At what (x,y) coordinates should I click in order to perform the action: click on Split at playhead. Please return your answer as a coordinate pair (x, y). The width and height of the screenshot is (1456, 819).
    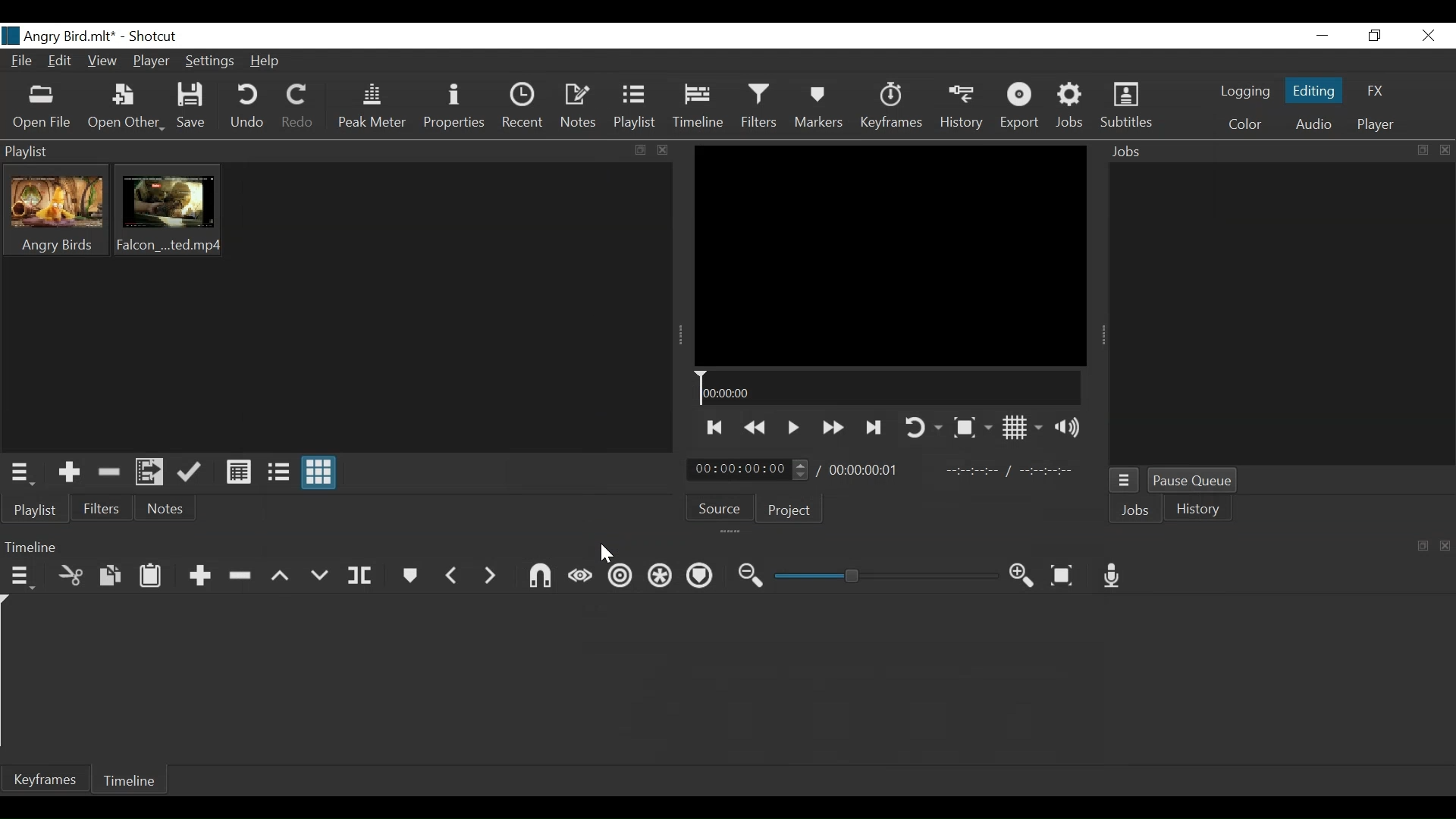
    Looking at the image, I should click on (362, 577).